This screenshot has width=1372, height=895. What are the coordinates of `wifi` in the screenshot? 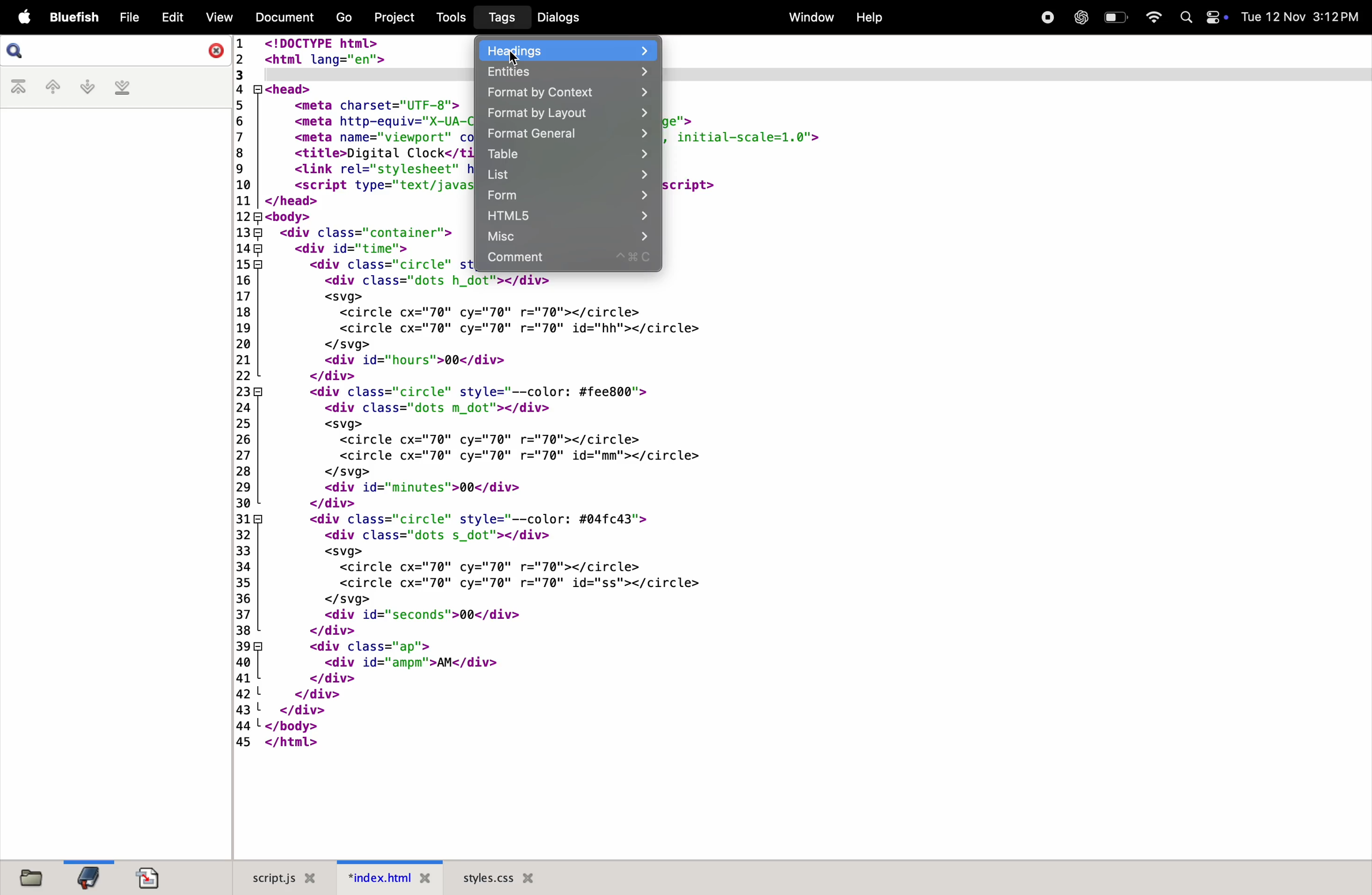 It's located at (1149, 17).